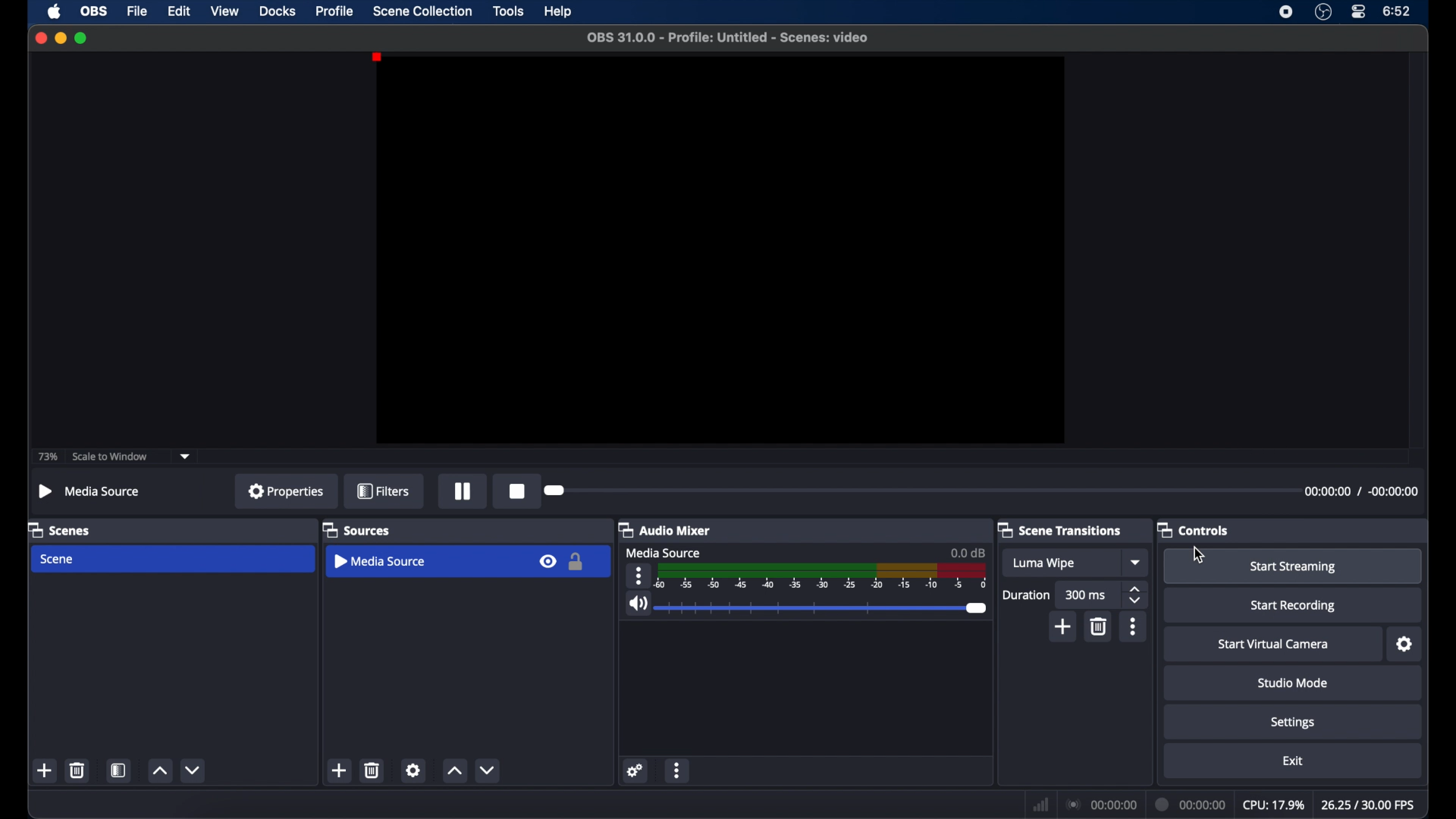  Describe the element at coordinates (1404, 645) in the screenshot. I see `settings` at that location.